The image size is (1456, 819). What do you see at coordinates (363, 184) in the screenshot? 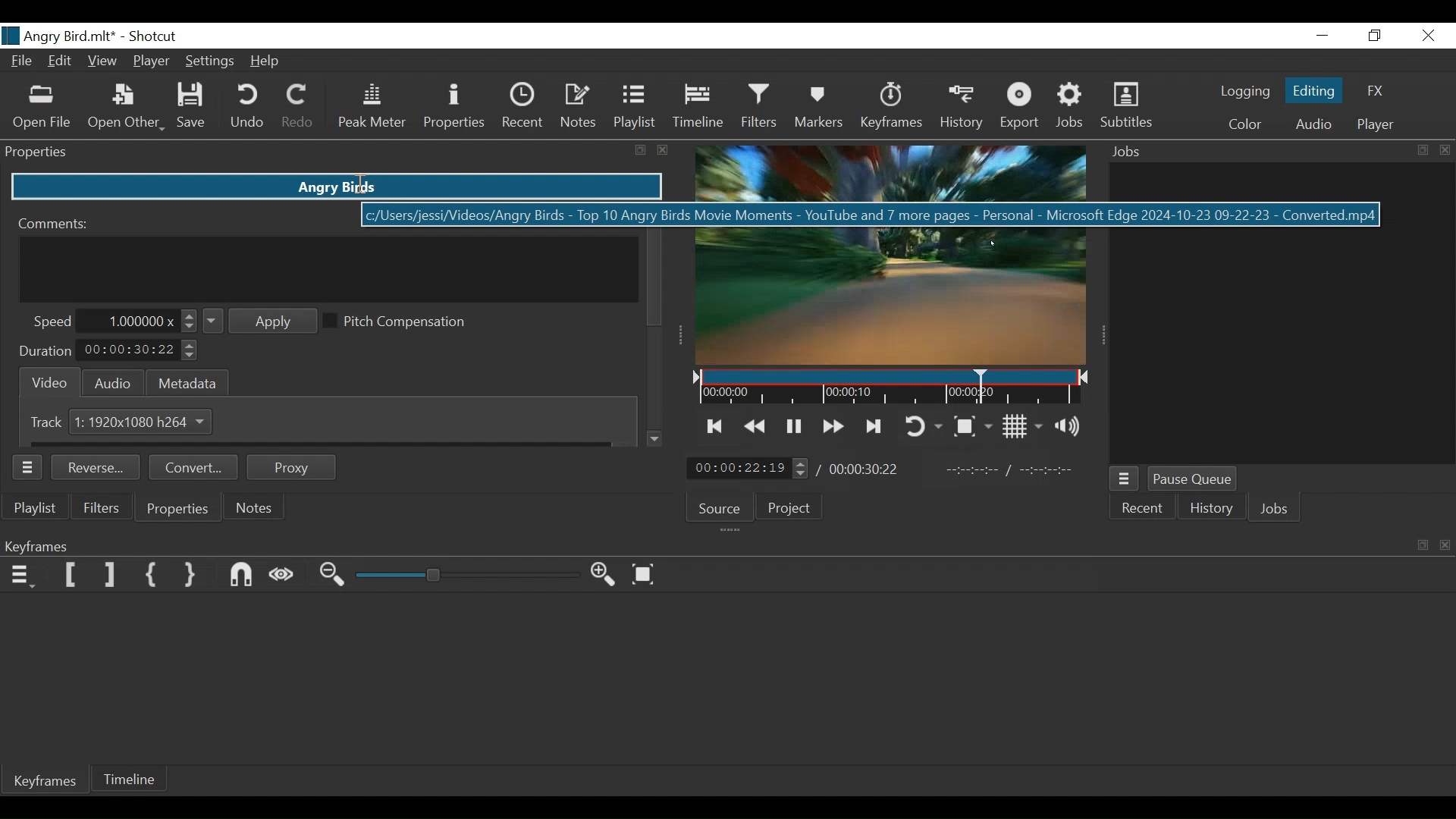
I see `cursor` at bounding box center [363, 184].